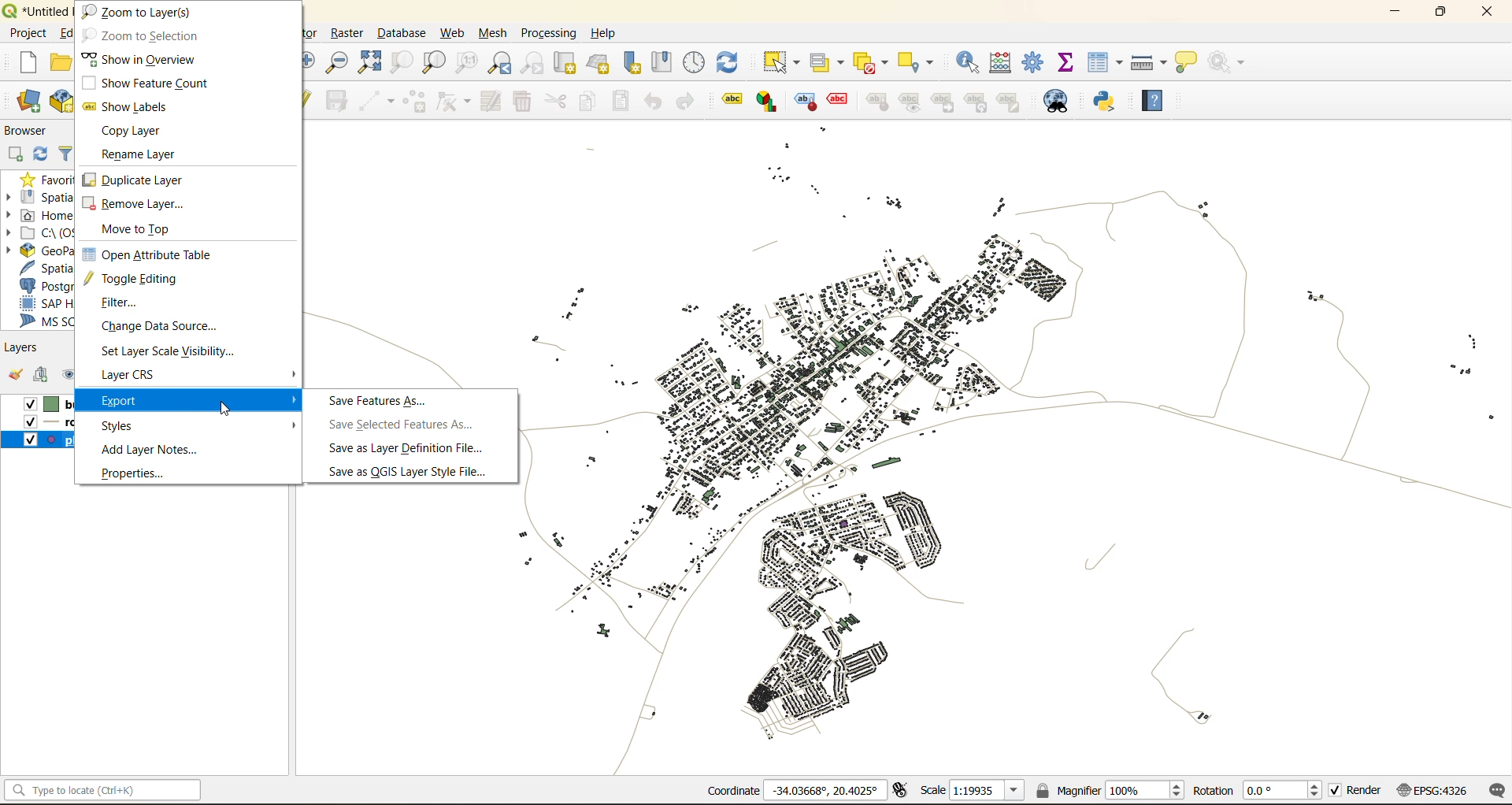 This screenshot has height=805, width=1512. Describe the element at coordinates (608, 33) in the screenshot. I see `help` at that location.